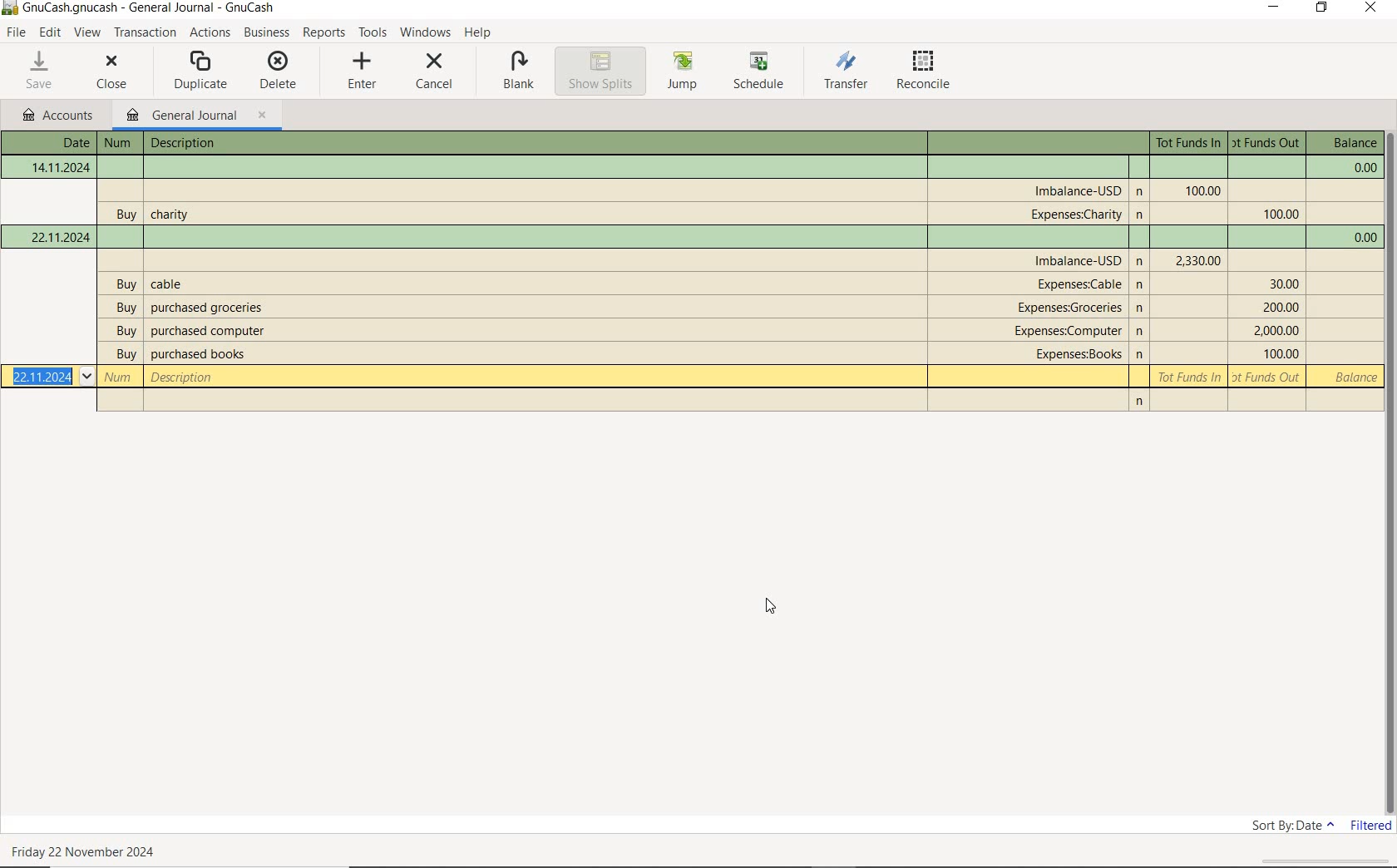 The image size is (1397, 868). Describe the element at coordinates (87, 377) in the screenshot. I see `Drop-down ` at that location.